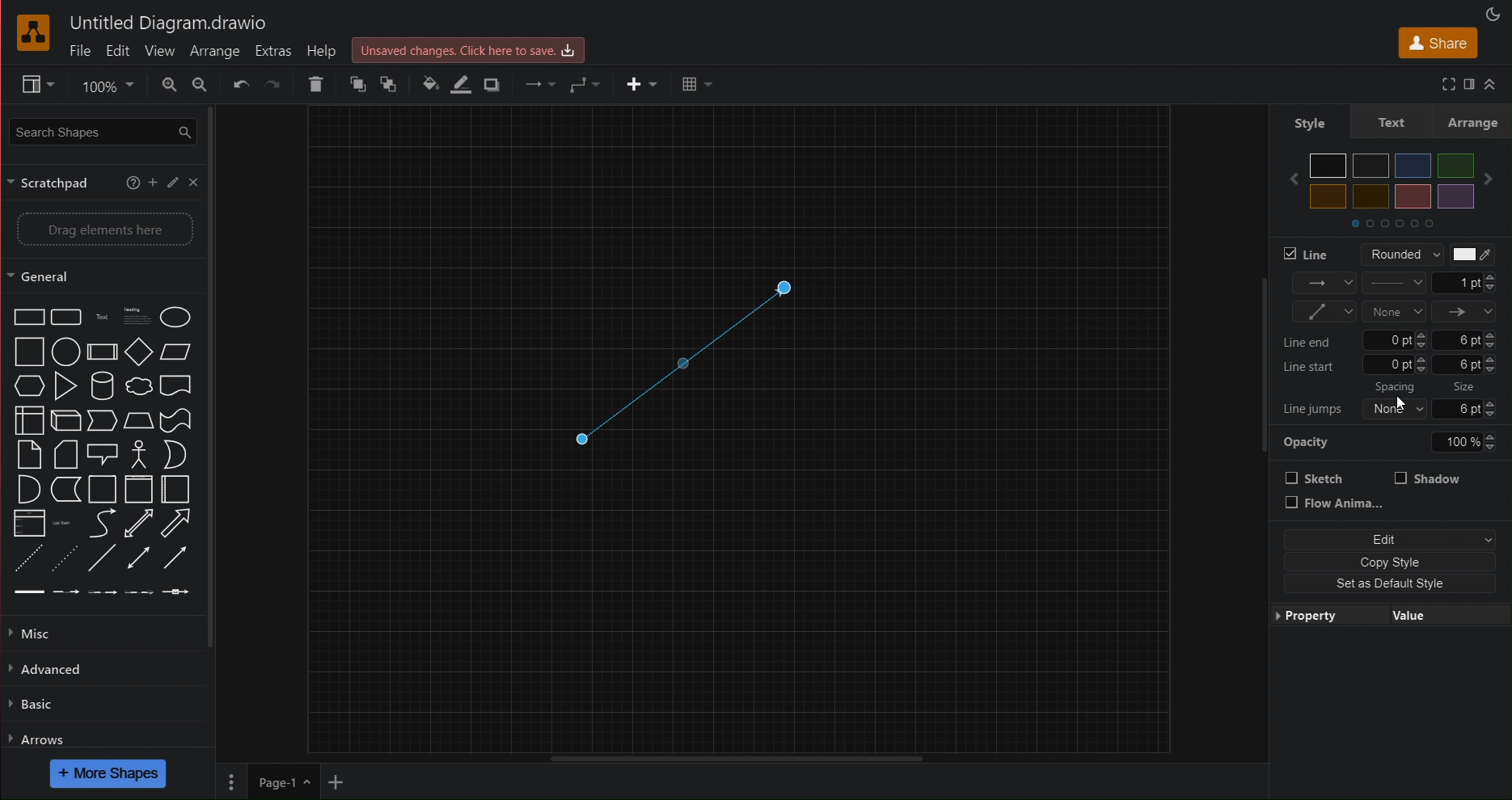 This screenshot has height=800, width=1512. Describe the element at coordinates (1465, 312) in the screenshot. I see `Line header` at that location.